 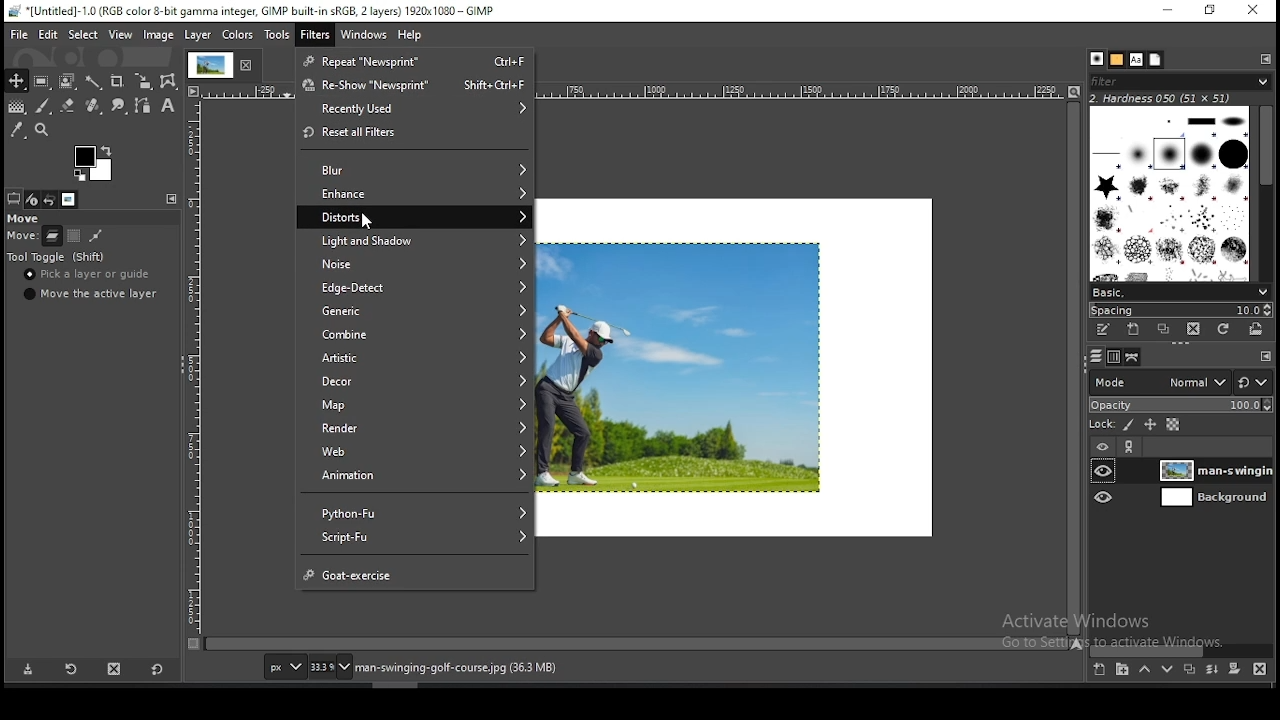 What do you see at coordinates (1103, 424) in the screenshot?
I see `lock` at bounding box center [1103, 424].